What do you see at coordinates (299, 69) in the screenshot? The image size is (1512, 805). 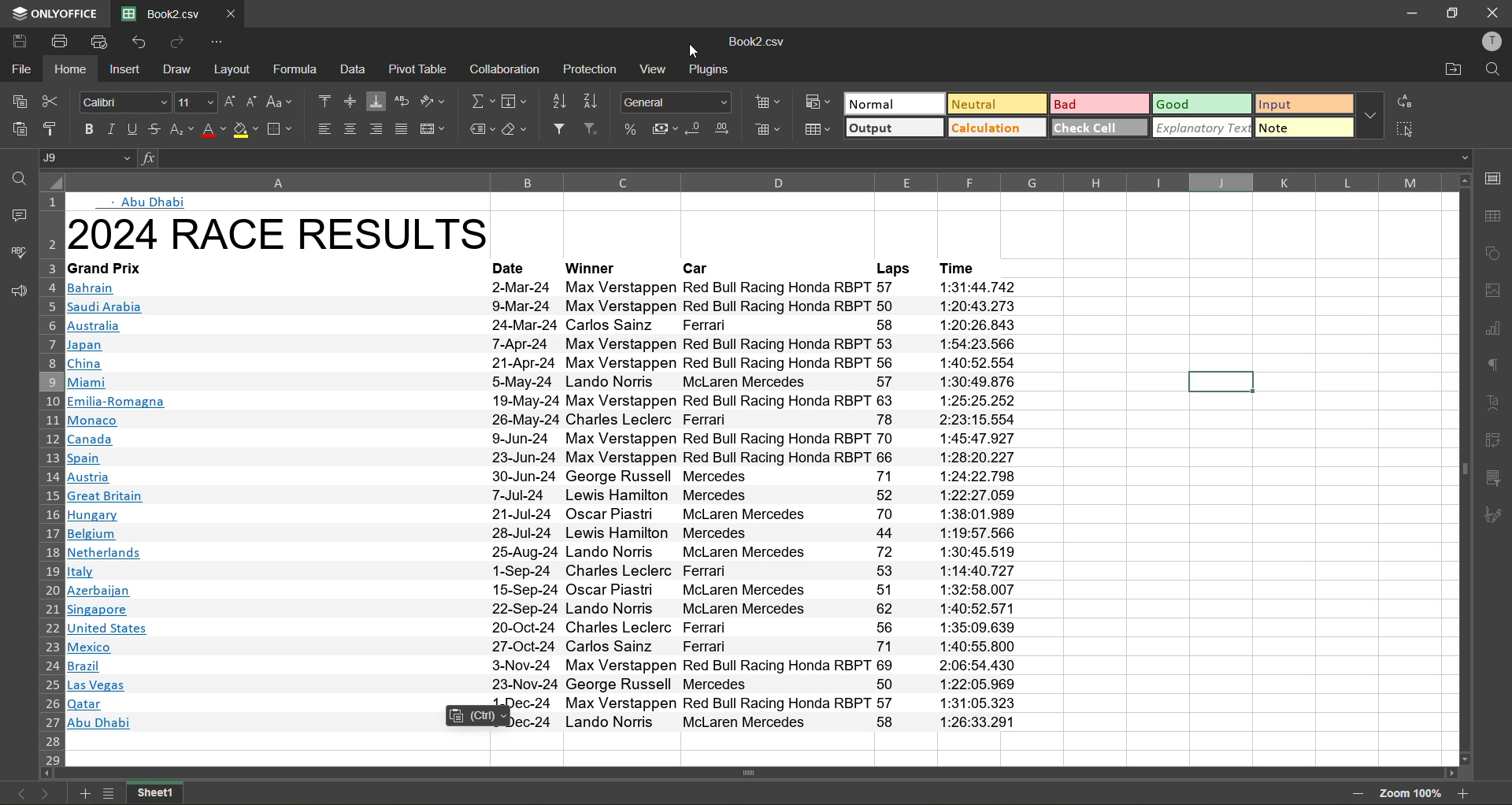 I see `formula` at bounding box center [299, 69].